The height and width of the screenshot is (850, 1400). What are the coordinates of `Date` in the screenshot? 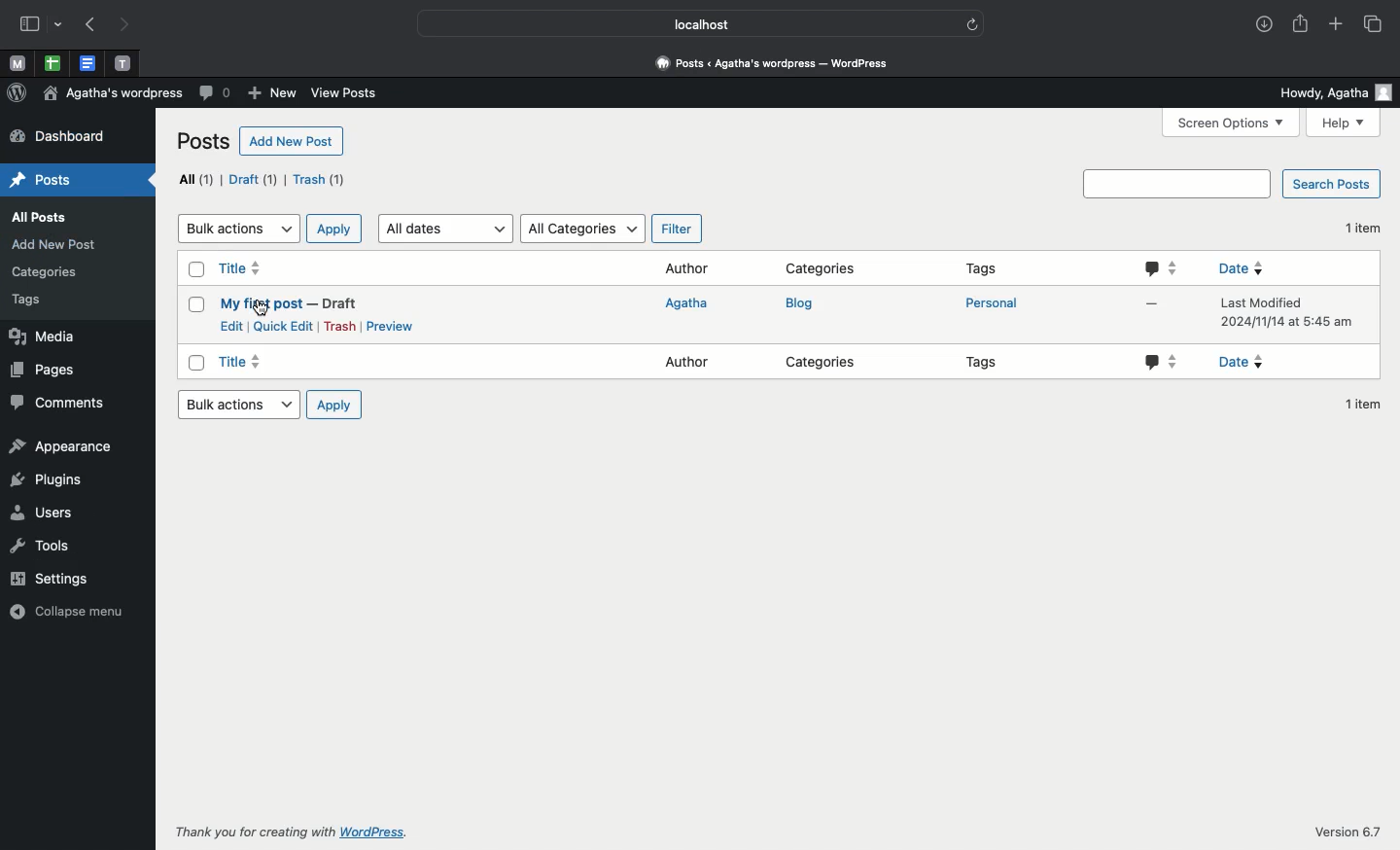 It's located at (1248, 363).